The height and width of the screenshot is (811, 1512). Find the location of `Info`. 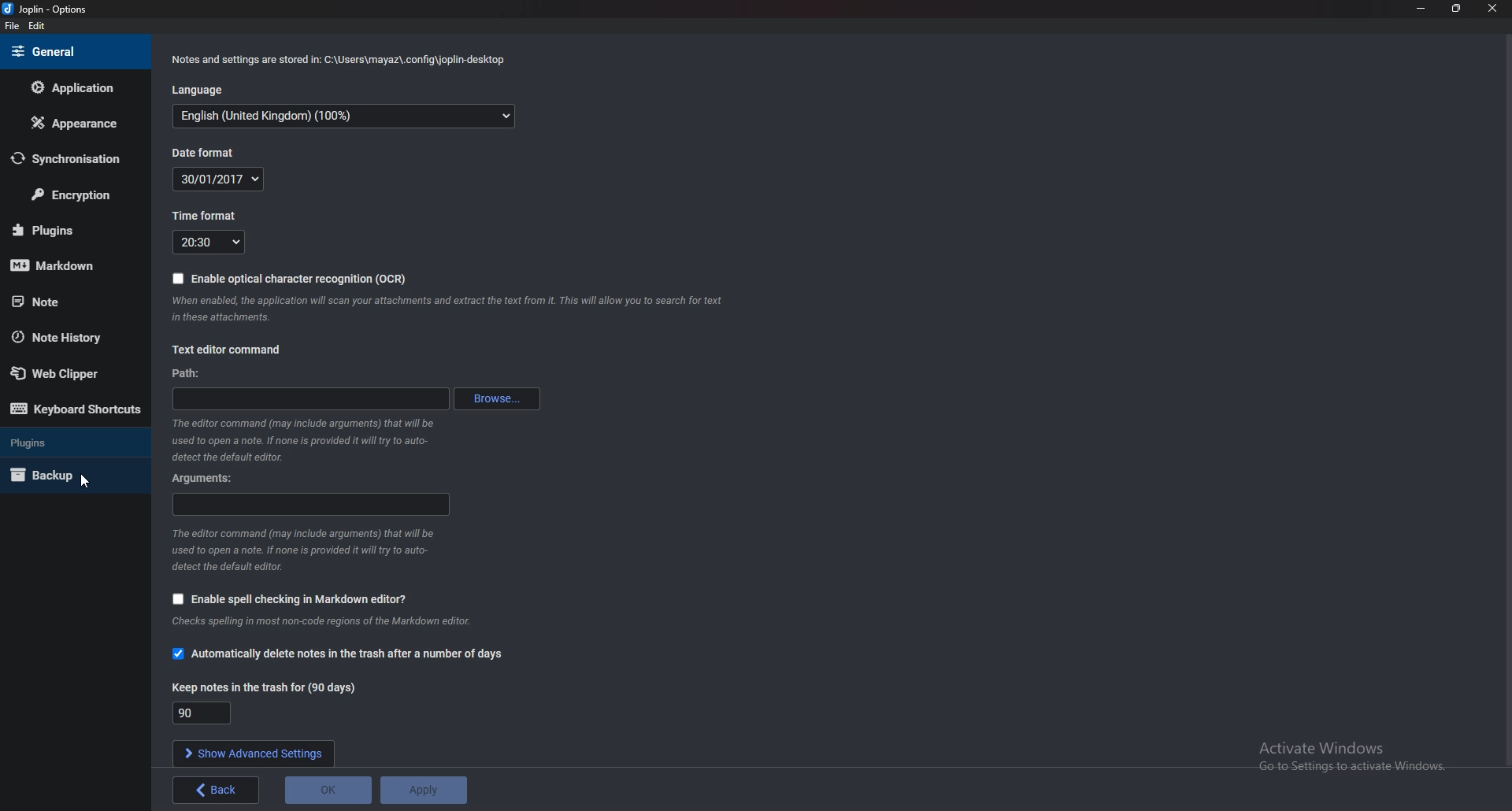

Info is located at coordinates (448, 309).